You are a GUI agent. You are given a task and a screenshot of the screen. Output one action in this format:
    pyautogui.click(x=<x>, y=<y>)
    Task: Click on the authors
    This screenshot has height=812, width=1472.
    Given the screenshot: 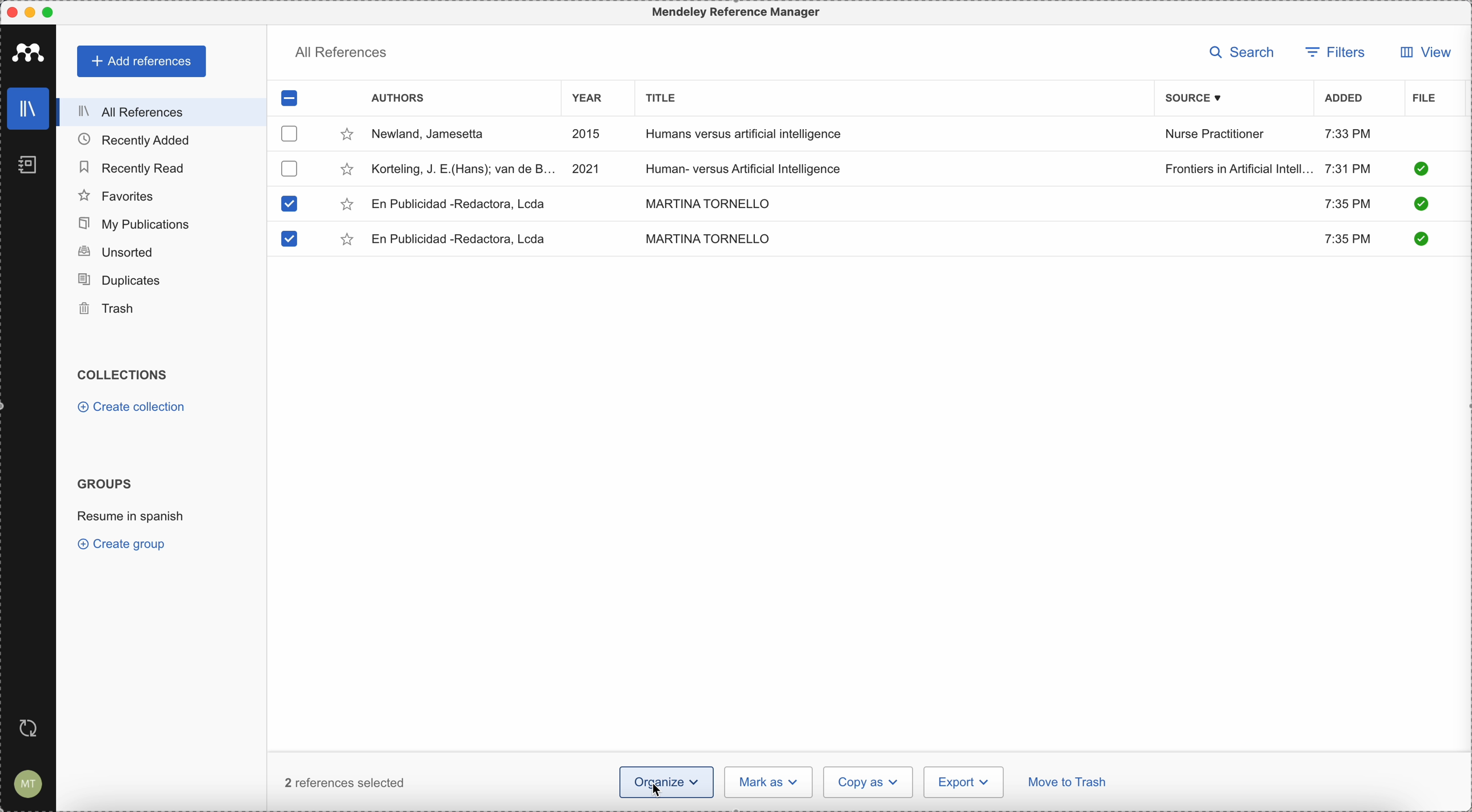 What is the action you would take?
    pyautogui.click(x=398, y=99)
    